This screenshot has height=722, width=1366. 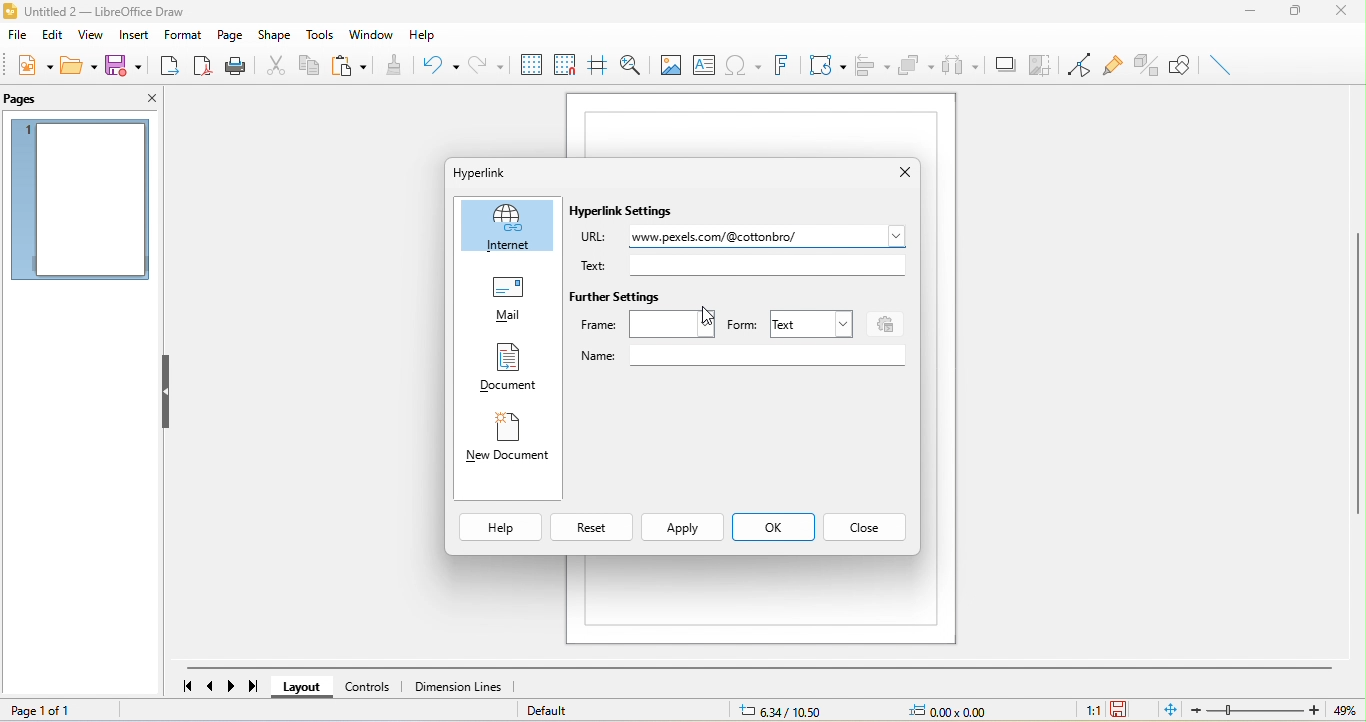 I want to click on paste, so click(x=355, y=65).